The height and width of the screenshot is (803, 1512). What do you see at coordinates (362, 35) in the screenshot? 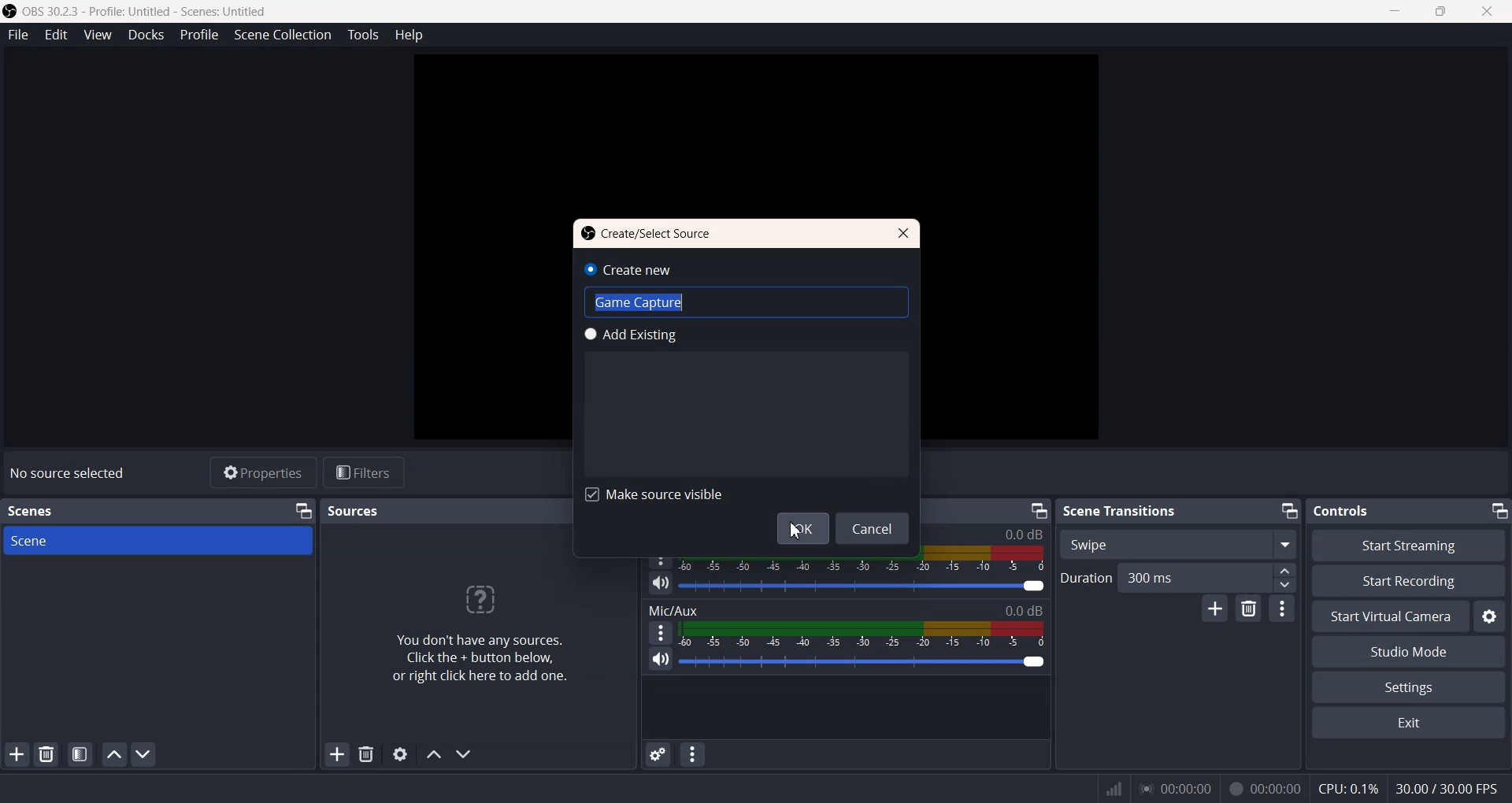
I see `Tools` at bounding box center [362, 35].